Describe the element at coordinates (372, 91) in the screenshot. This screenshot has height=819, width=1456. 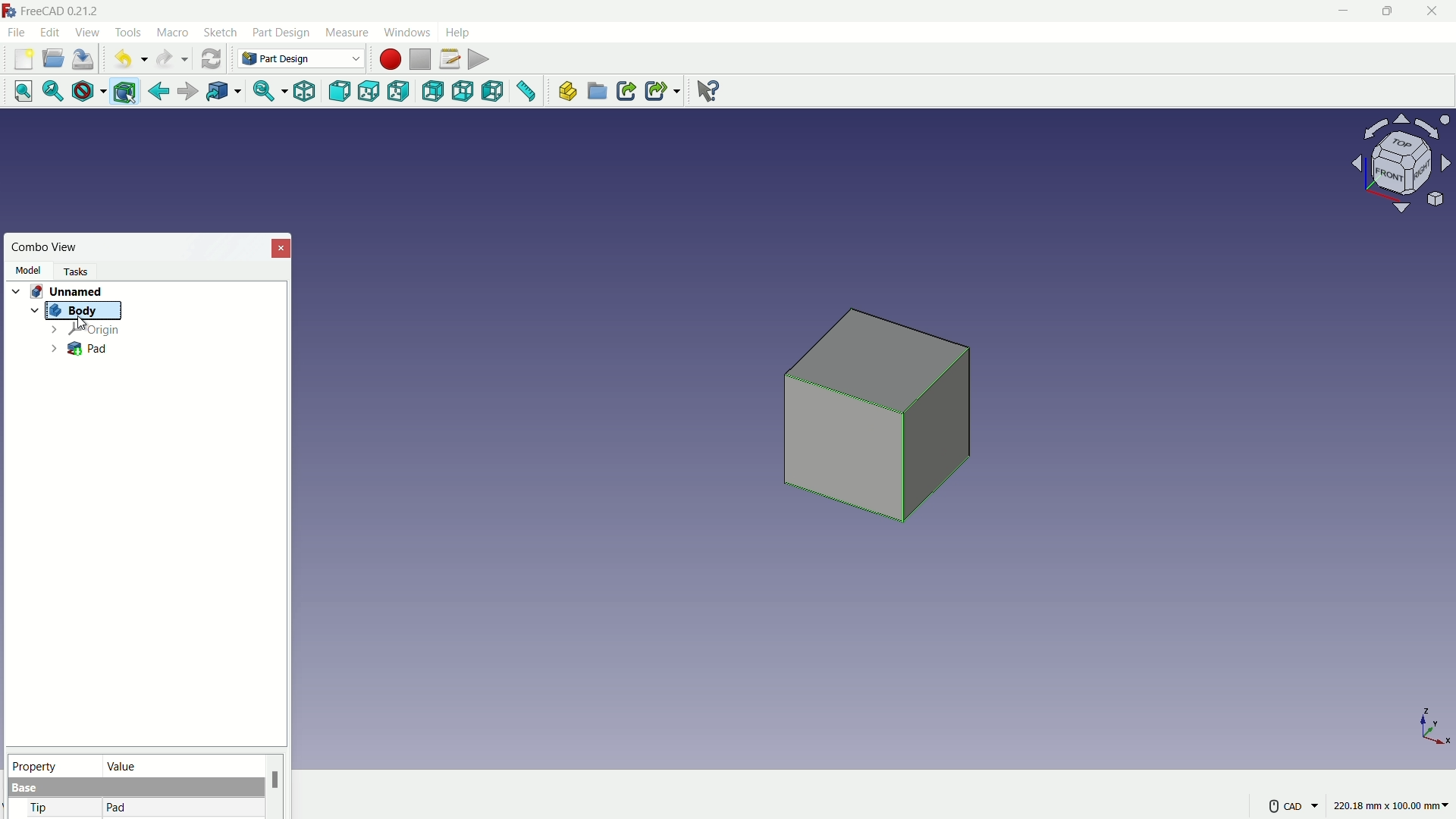
I see `top view` at that location.